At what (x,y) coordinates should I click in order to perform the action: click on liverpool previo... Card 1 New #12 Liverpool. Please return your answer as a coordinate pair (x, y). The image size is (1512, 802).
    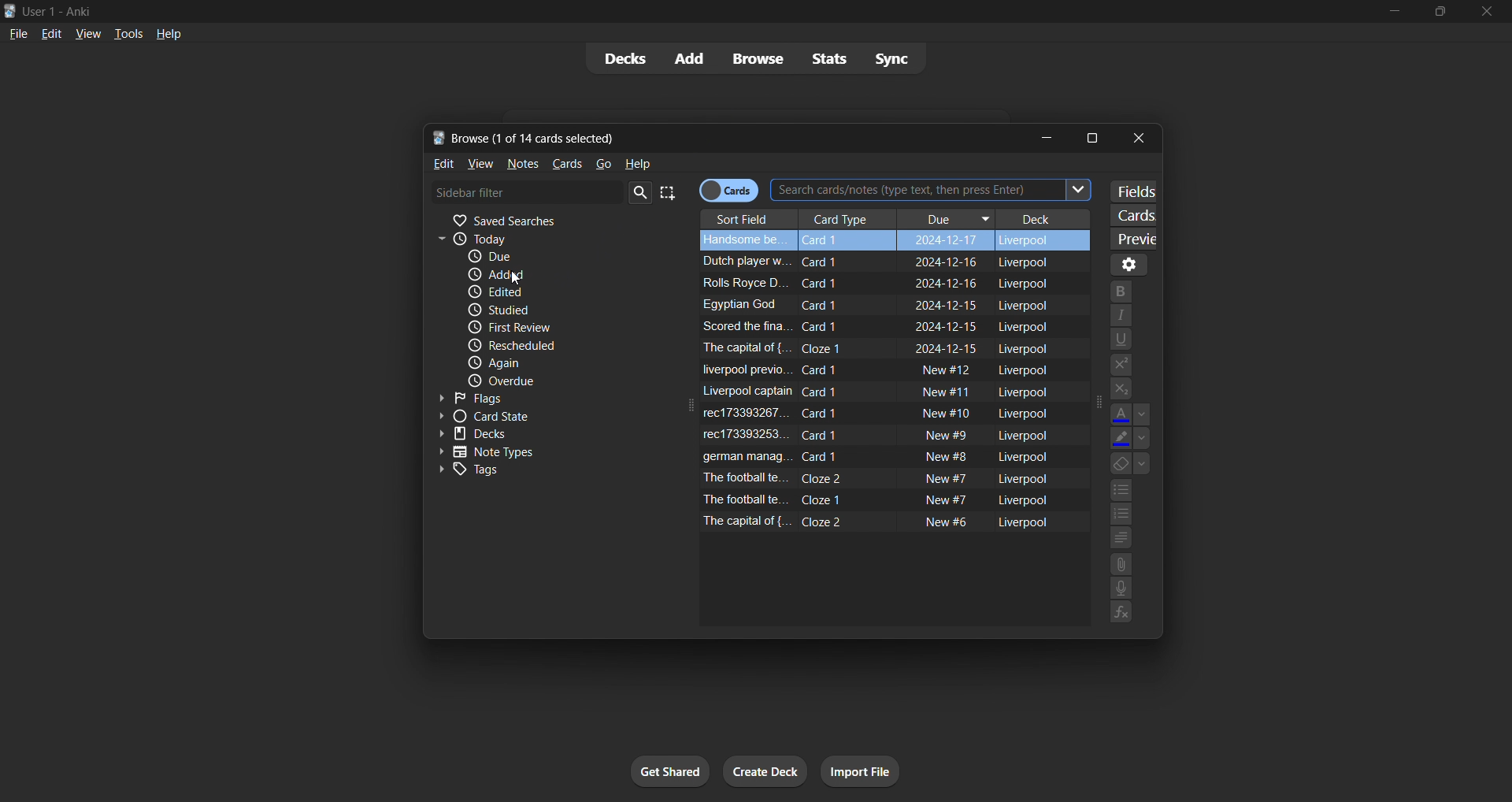
    Looking at the image, I should click on (876, 369).